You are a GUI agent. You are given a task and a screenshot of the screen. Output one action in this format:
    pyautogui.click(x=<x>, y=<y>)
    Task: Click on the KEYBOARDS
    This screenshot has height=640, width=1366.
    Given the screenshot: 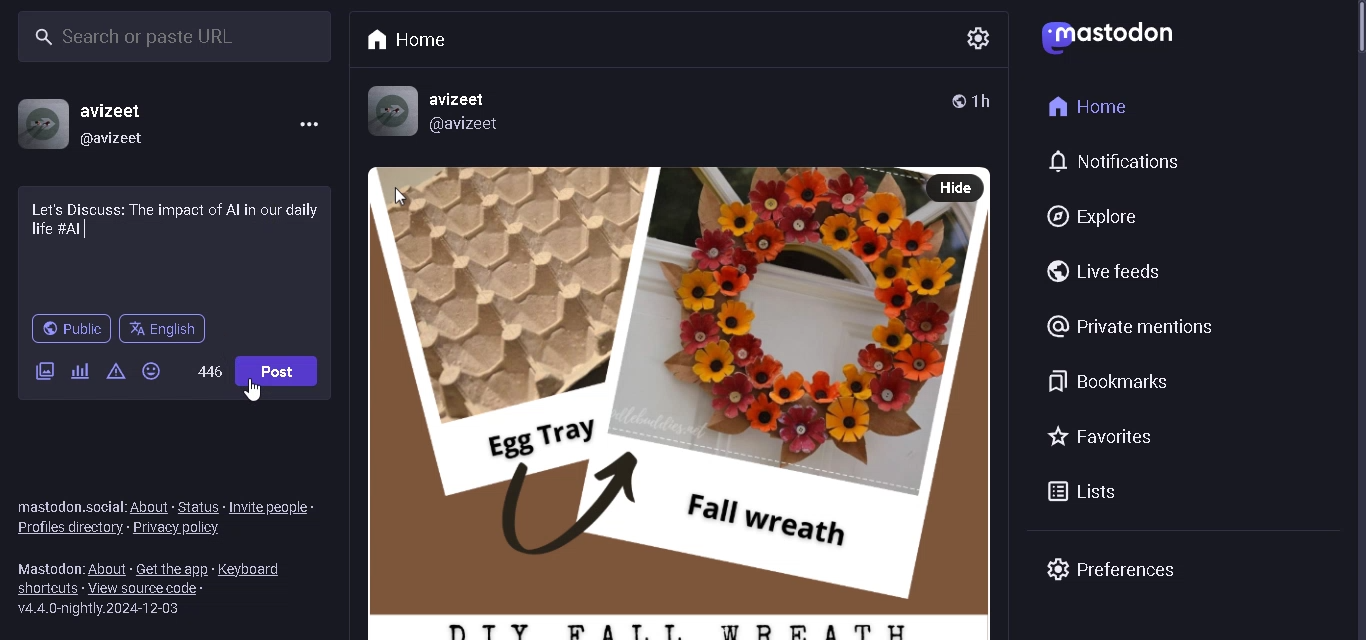 What is the action you would take?
    pyautogui.click(x=251, y=570)
    